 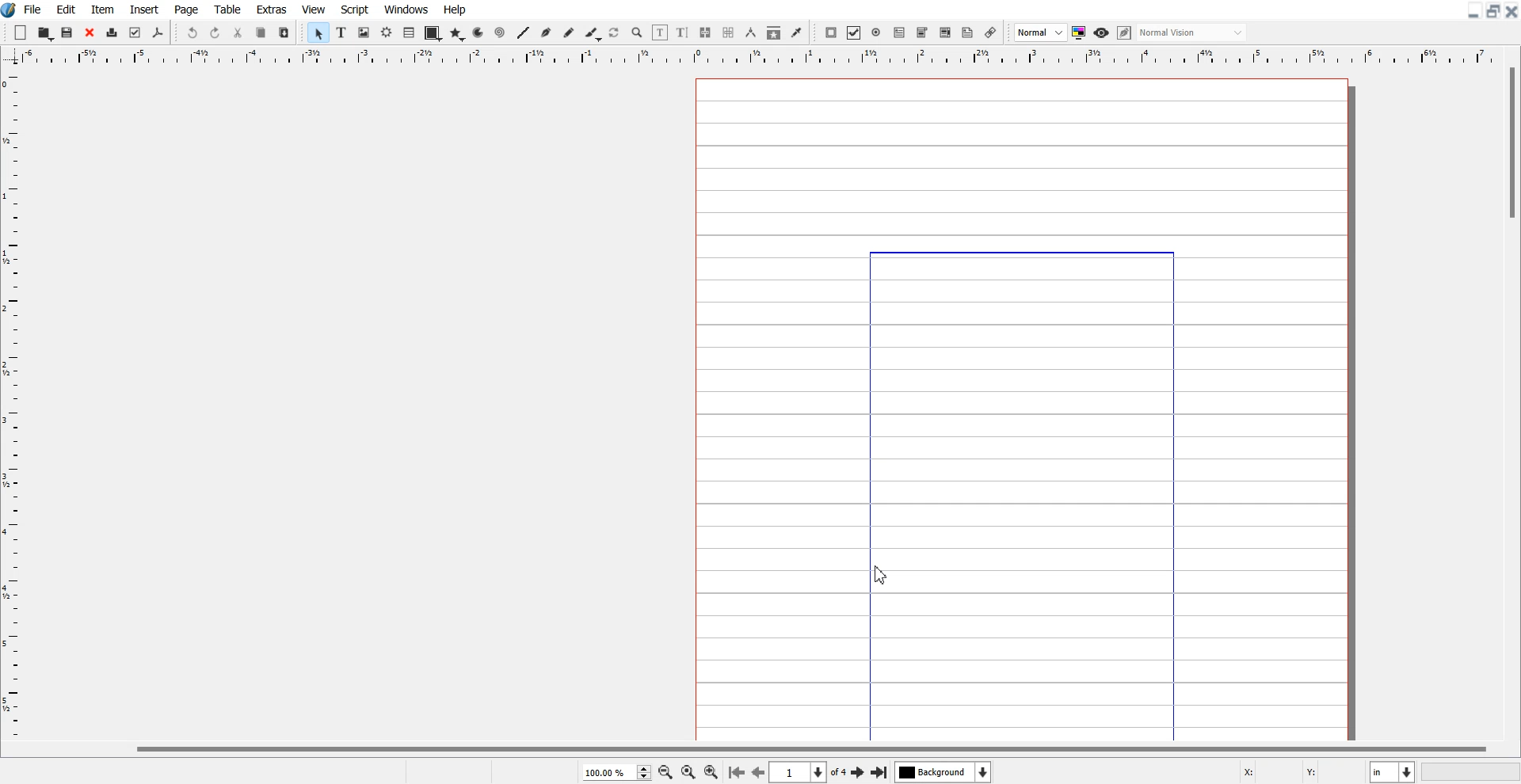 What do you see at coordinates (433, 33) in the screenshot?
I see `Shape` at bounding box center [433, 33].